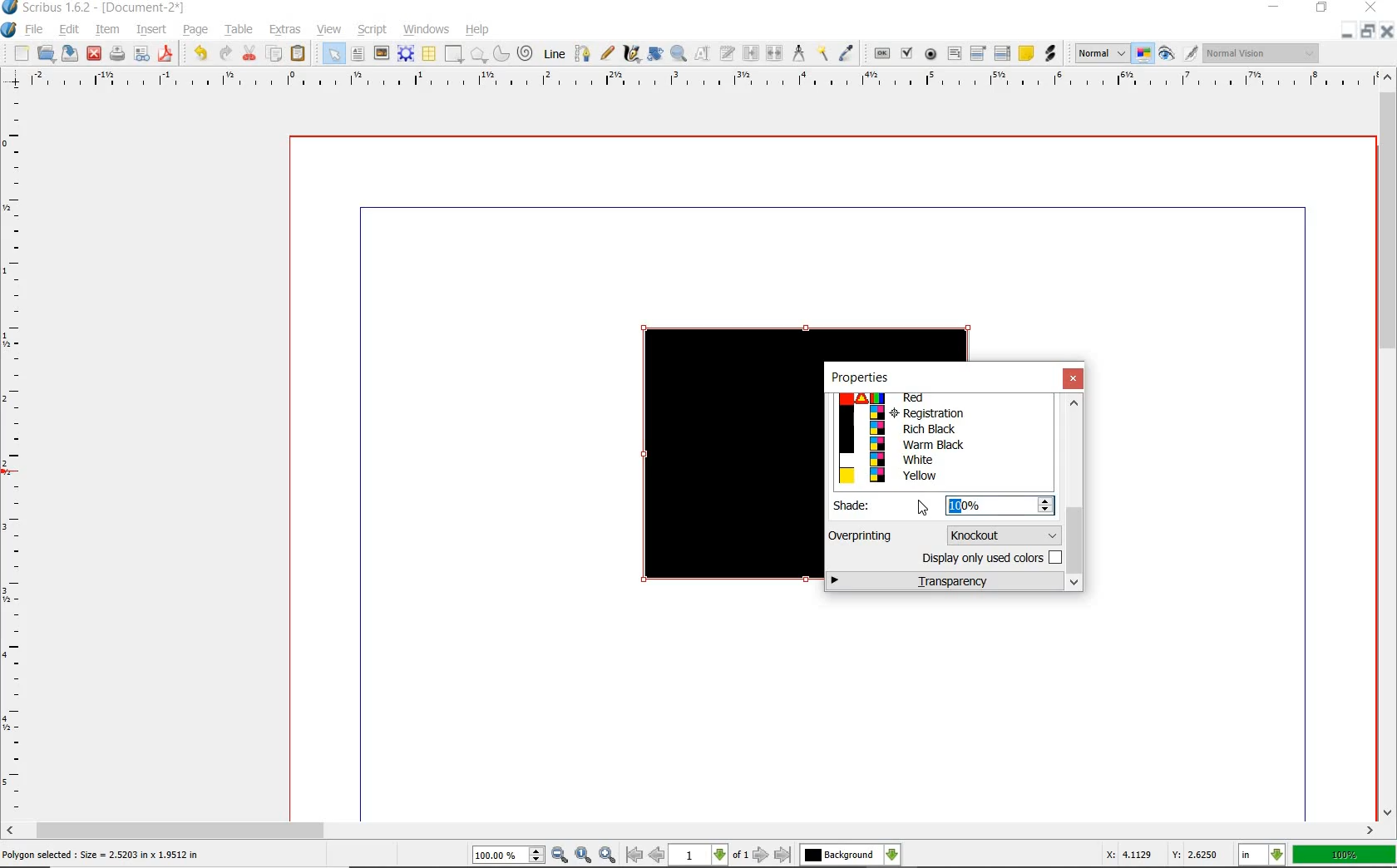  Describe the element at coordinates (329, 29) in the screenshot. I see `view` at that location.